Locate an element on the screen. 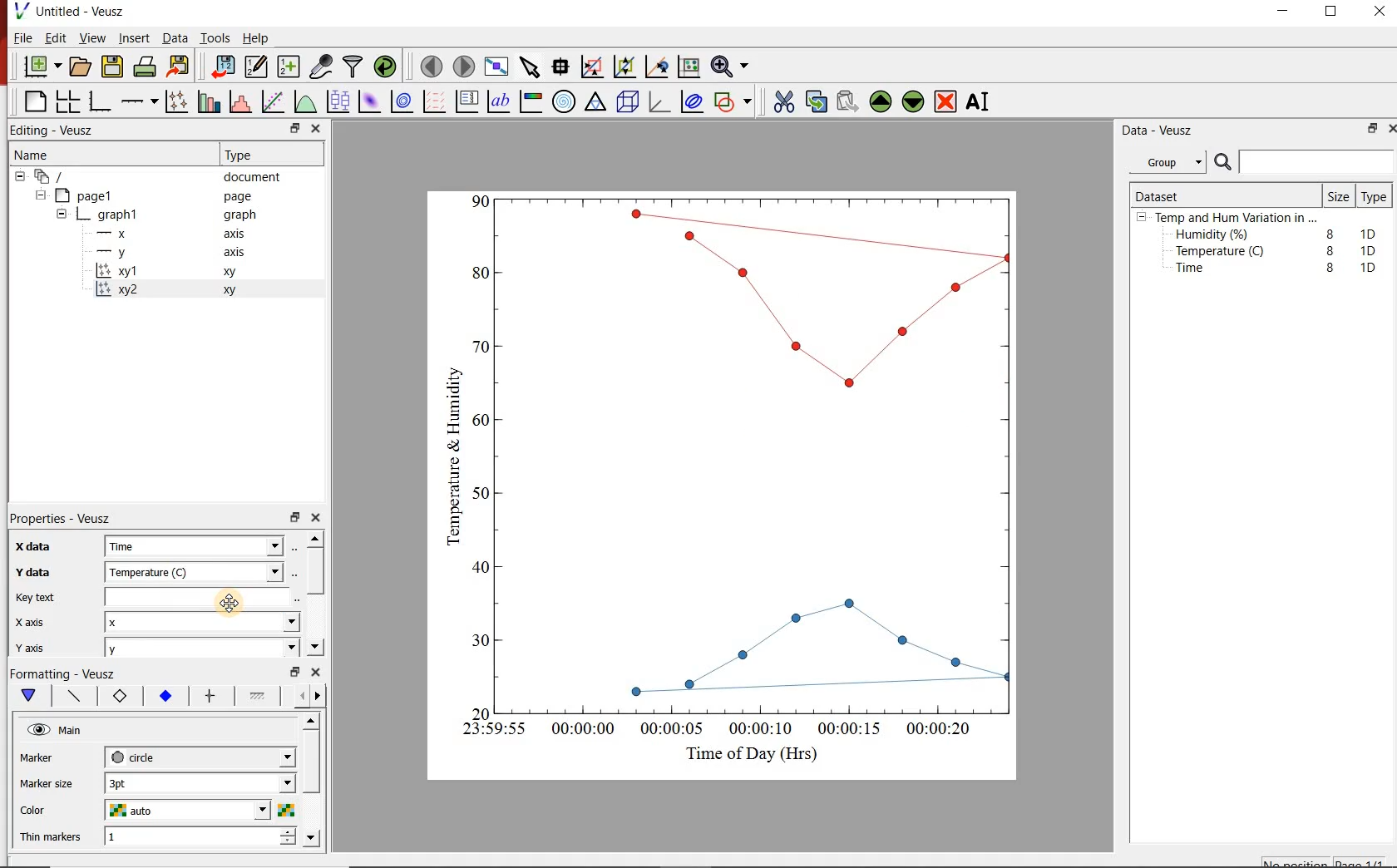 This screenshot has height=868, width=1397. image color bar is located at coordinates (534, 101).